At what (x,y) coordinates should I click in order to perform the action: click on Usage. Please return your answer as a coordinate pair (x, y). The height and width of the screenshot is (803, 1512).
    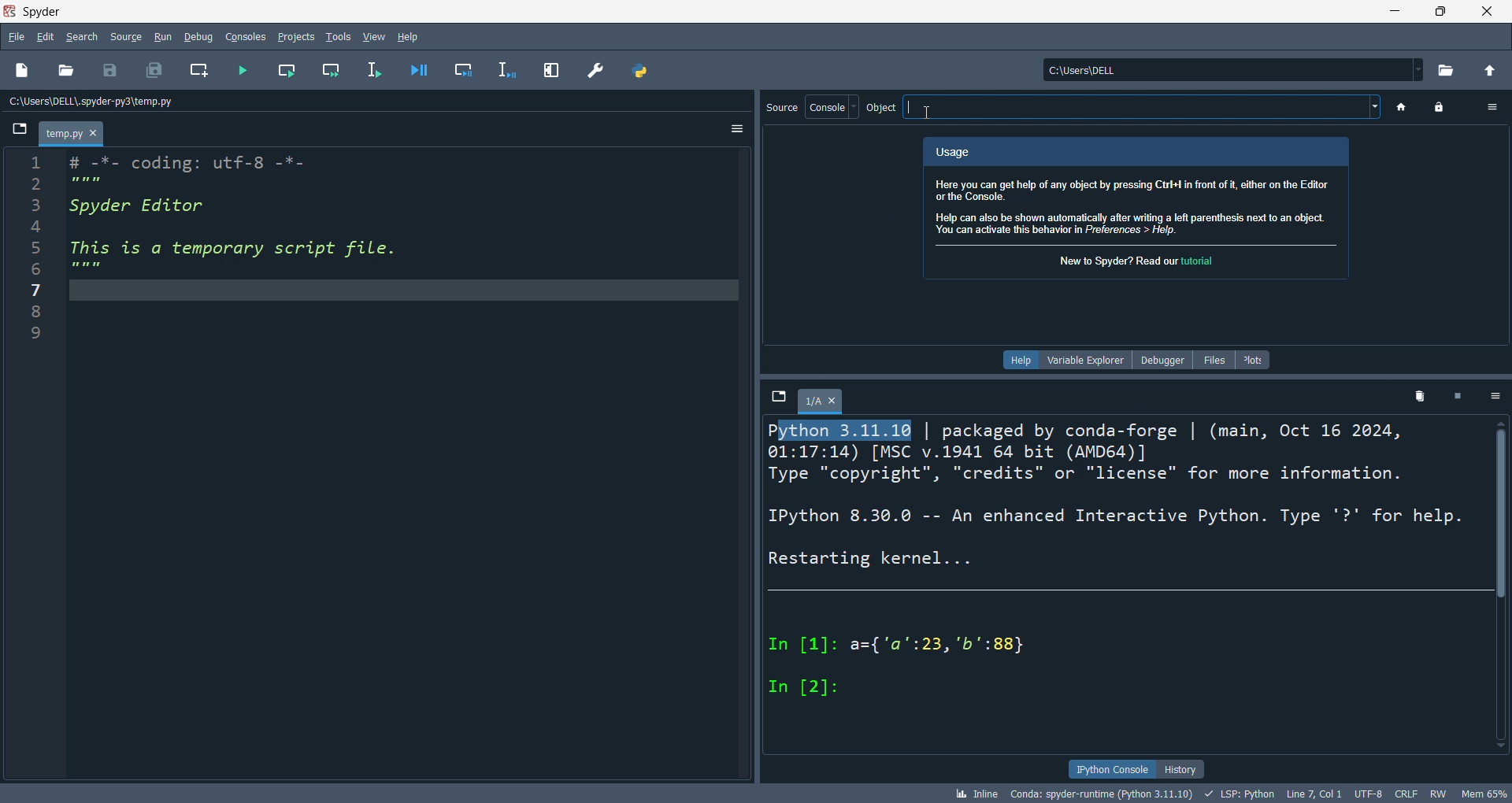
    Looking at the image, I should click on (959, 151).